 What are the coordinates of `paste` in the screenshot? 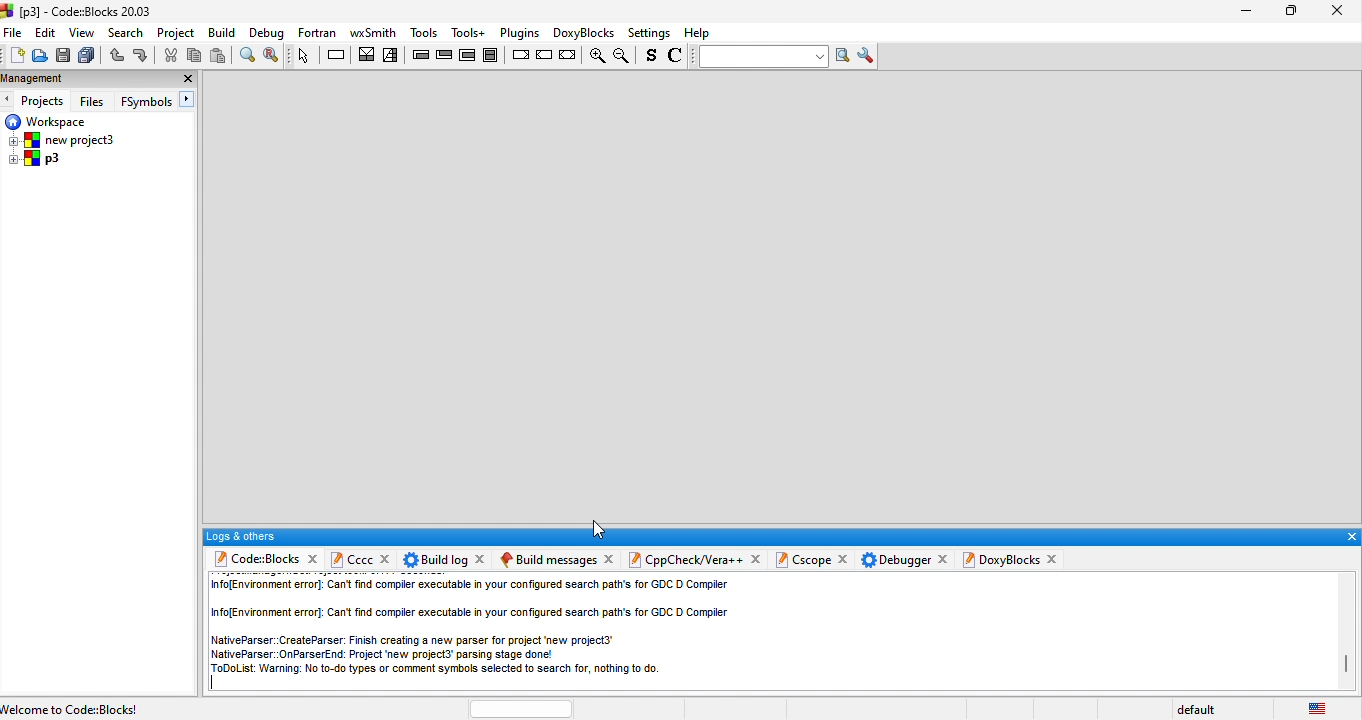 It's located at (220, 55).